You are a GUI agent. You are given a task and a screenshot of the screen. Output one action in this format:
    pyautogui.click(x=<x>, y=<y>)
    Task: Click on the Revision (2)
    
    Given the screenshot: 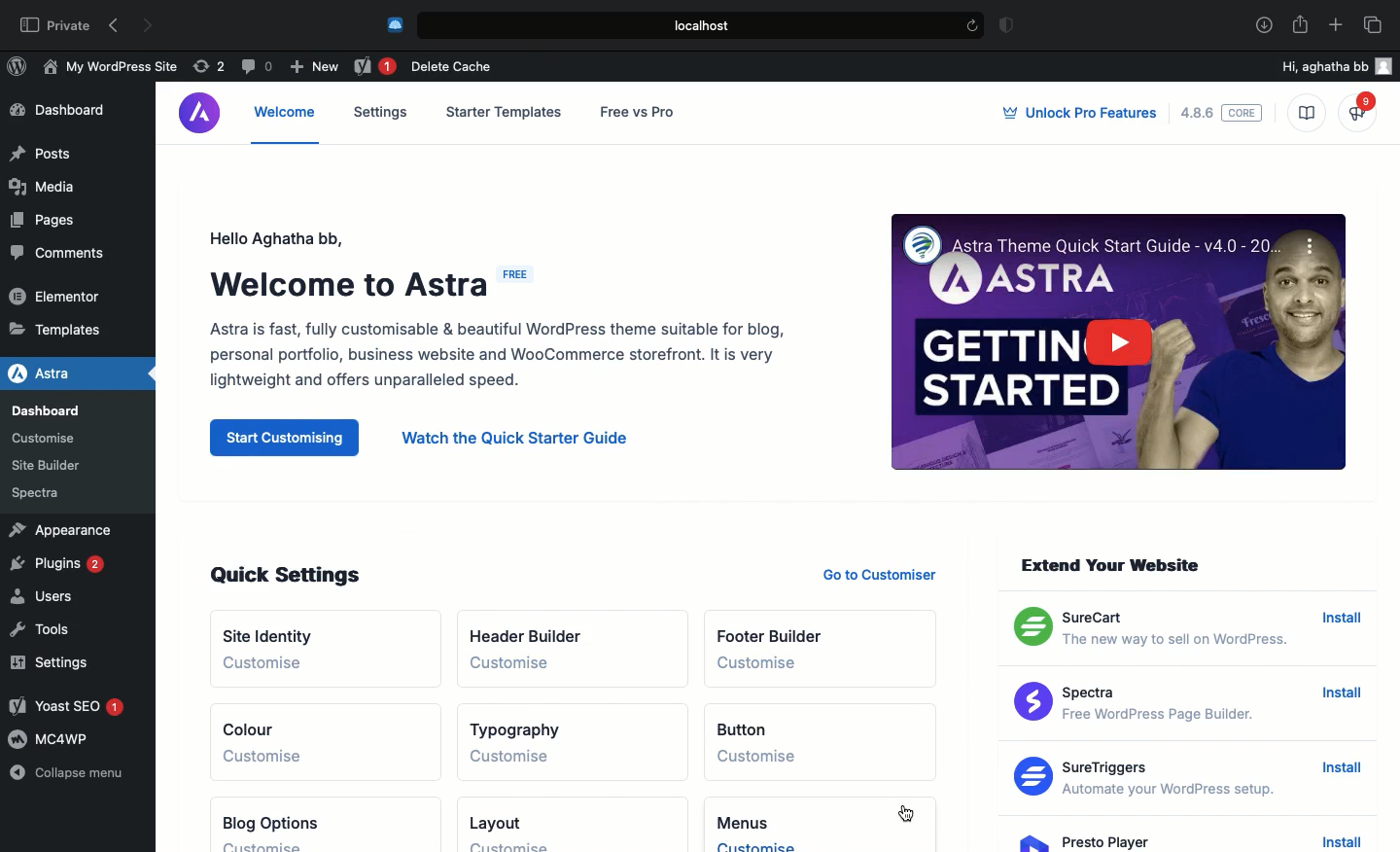 What is the action you would take?
    pyautogui.click(x=209, y=67)
    